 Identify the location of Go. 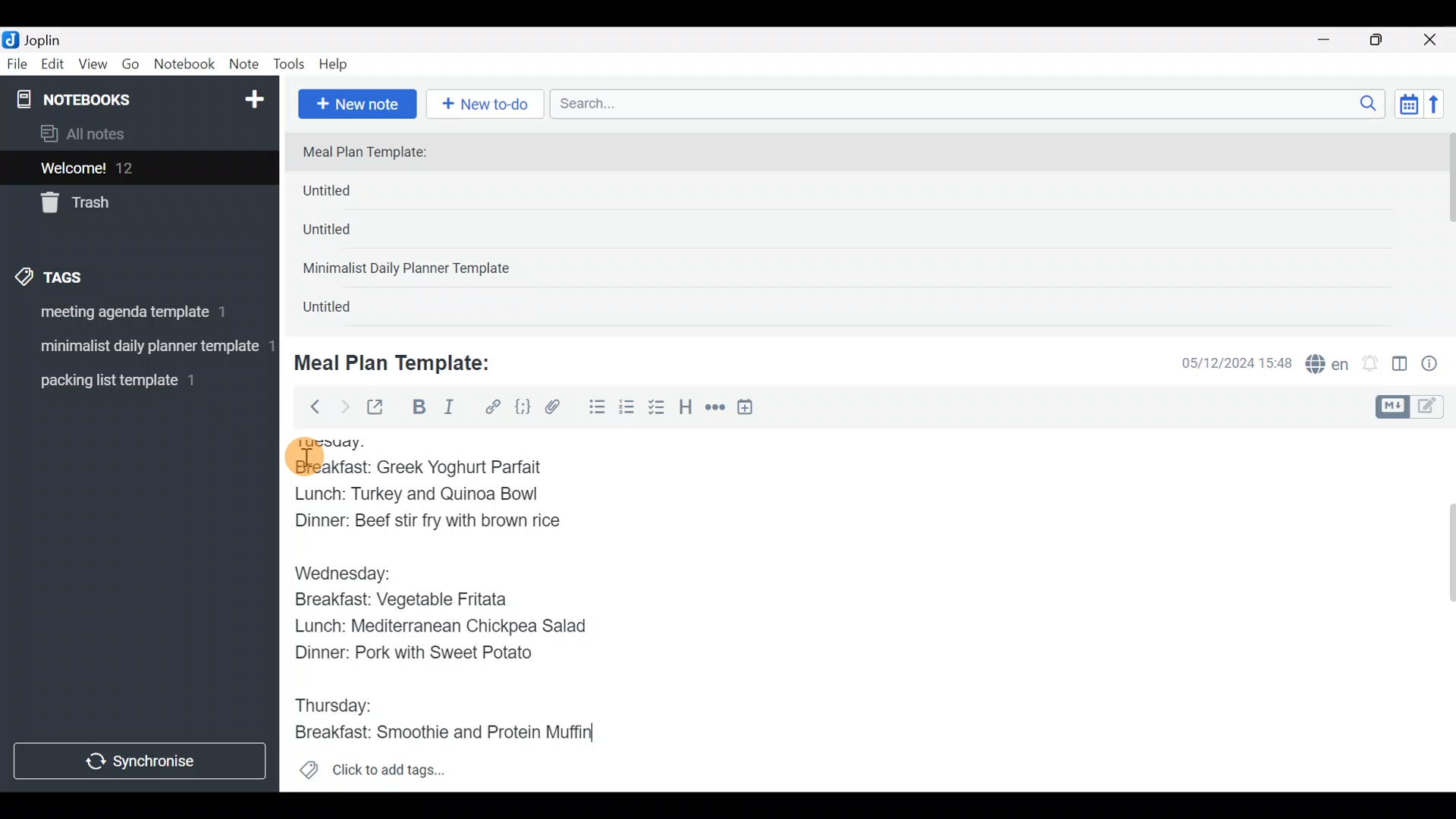
(130, 67).